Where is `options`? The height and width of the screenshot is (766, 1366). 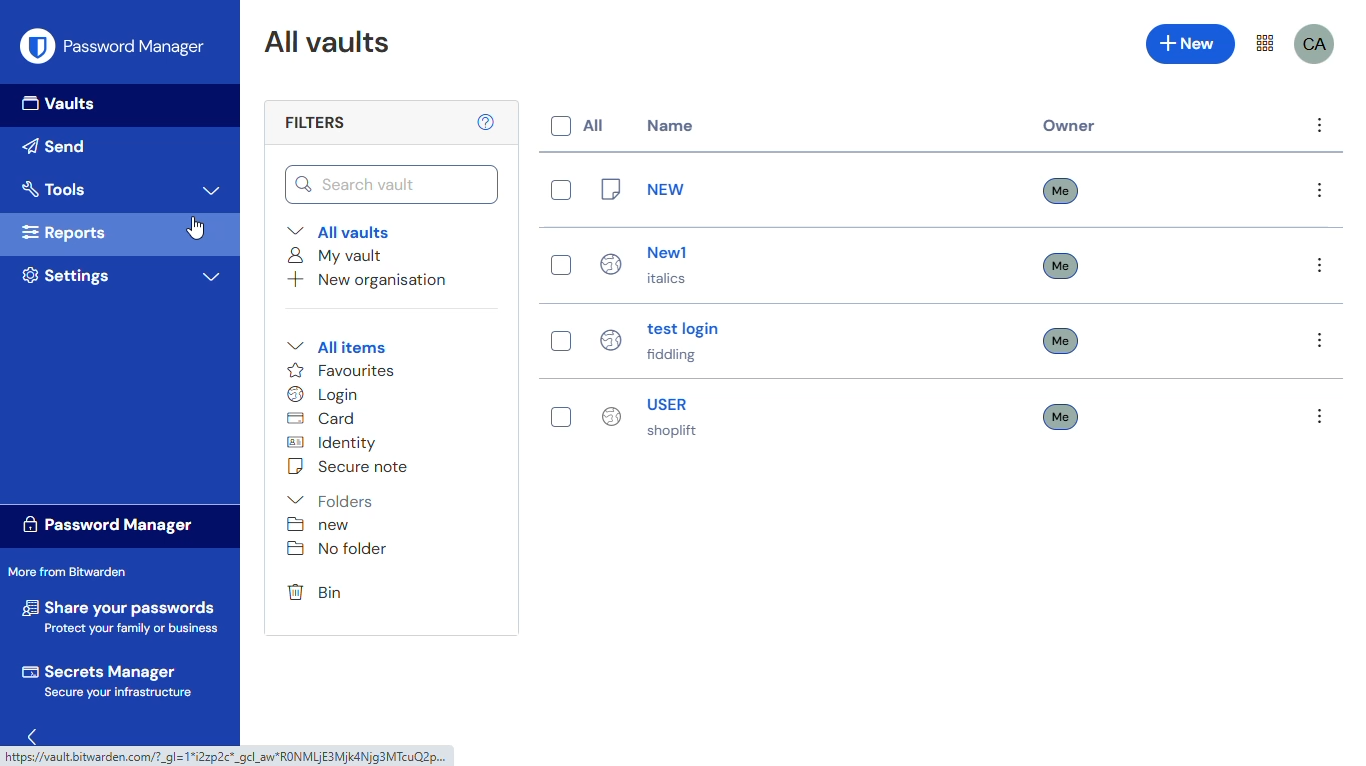
options is located at coordinates (1320, 191).